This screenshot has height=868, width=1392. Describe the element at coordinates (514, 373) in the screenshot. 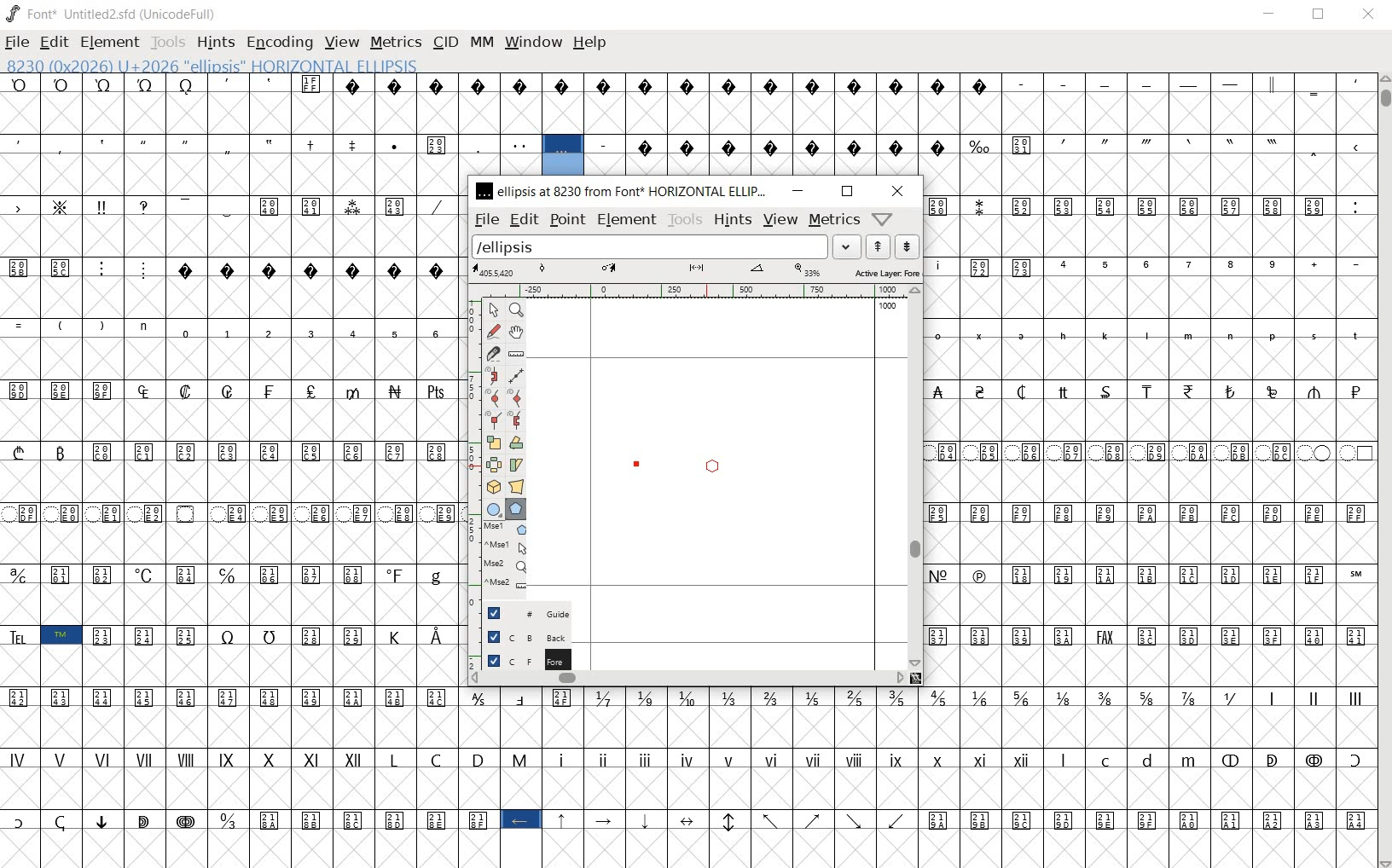

I see `change whether spiro is active or not` at that location.